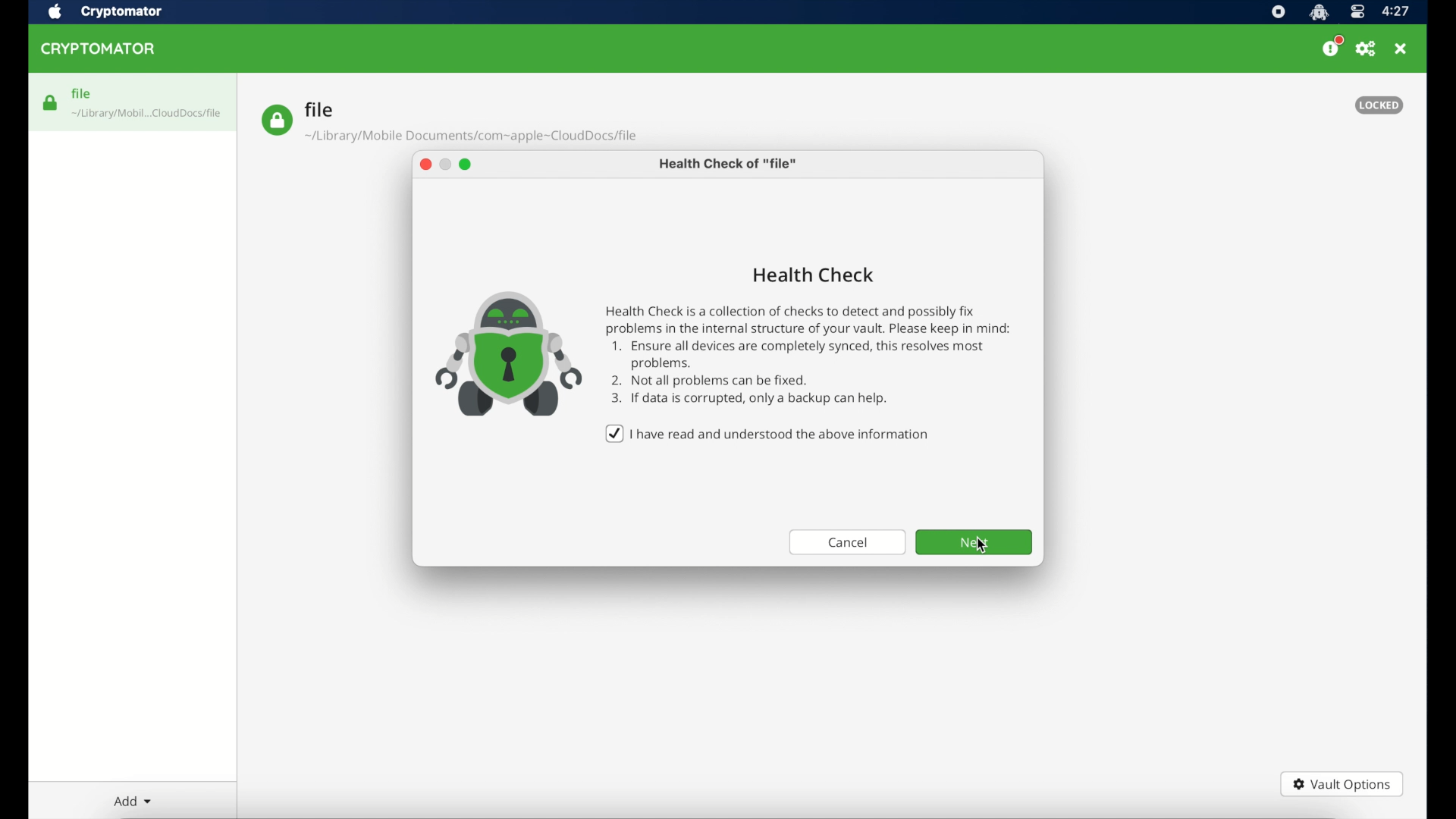 The width and height of the screenshot is (1456, 819). Describe the element at coordinates (815, 332) in the screenshot. I see `Health Check
Health Check is a collection of checks to detect and possibly fix
problems in the internal structure of your vault. Please keep in mind:
1. Ensure all devices are completely synced, this resolves most
problems.
2. Not all problems can be fixed.
3. If data is corrupted, only a backup can help.` at that location.